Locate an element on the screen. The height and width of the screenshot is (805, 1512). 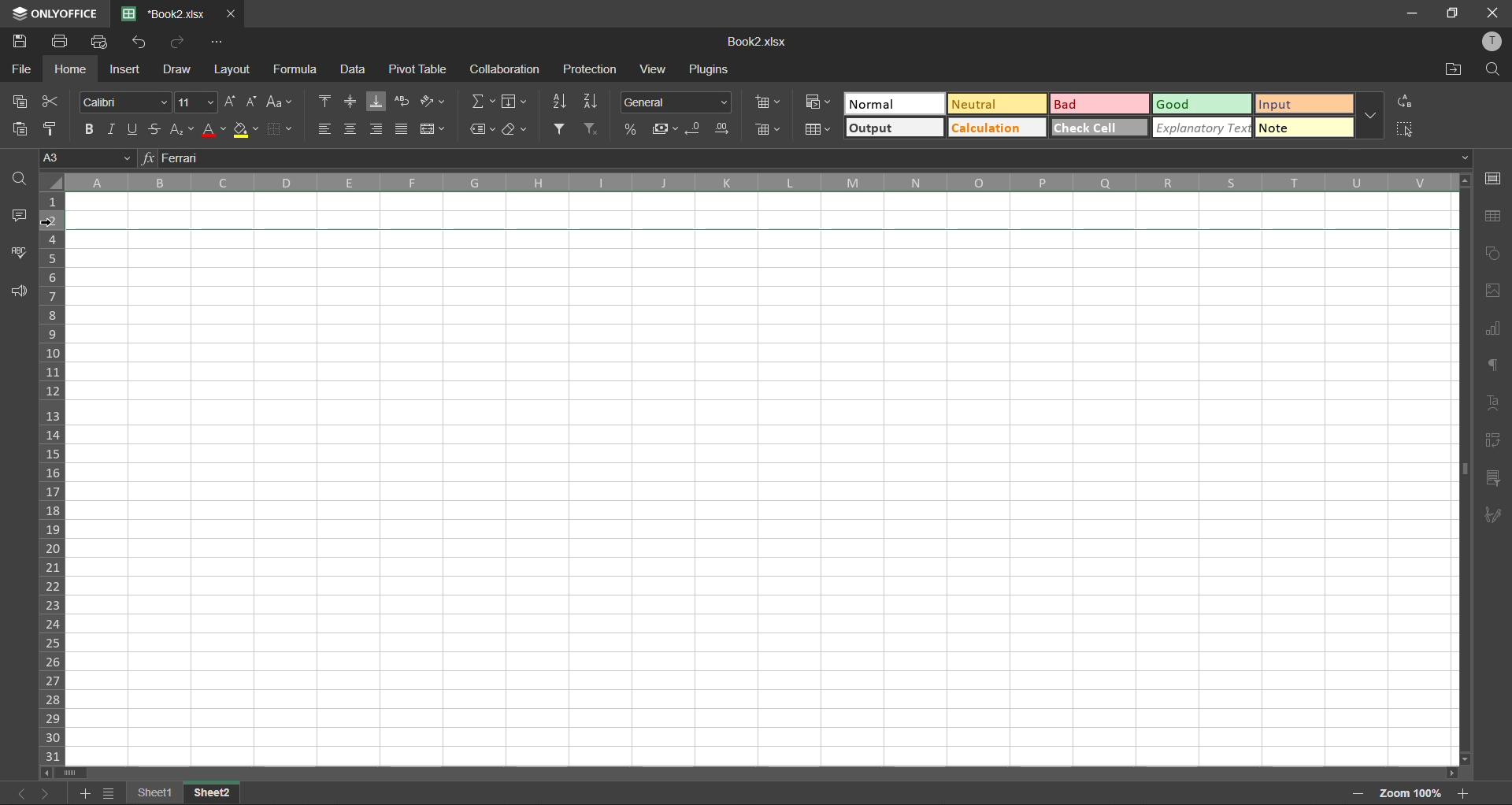
column names is located at coordinates (759, 182).